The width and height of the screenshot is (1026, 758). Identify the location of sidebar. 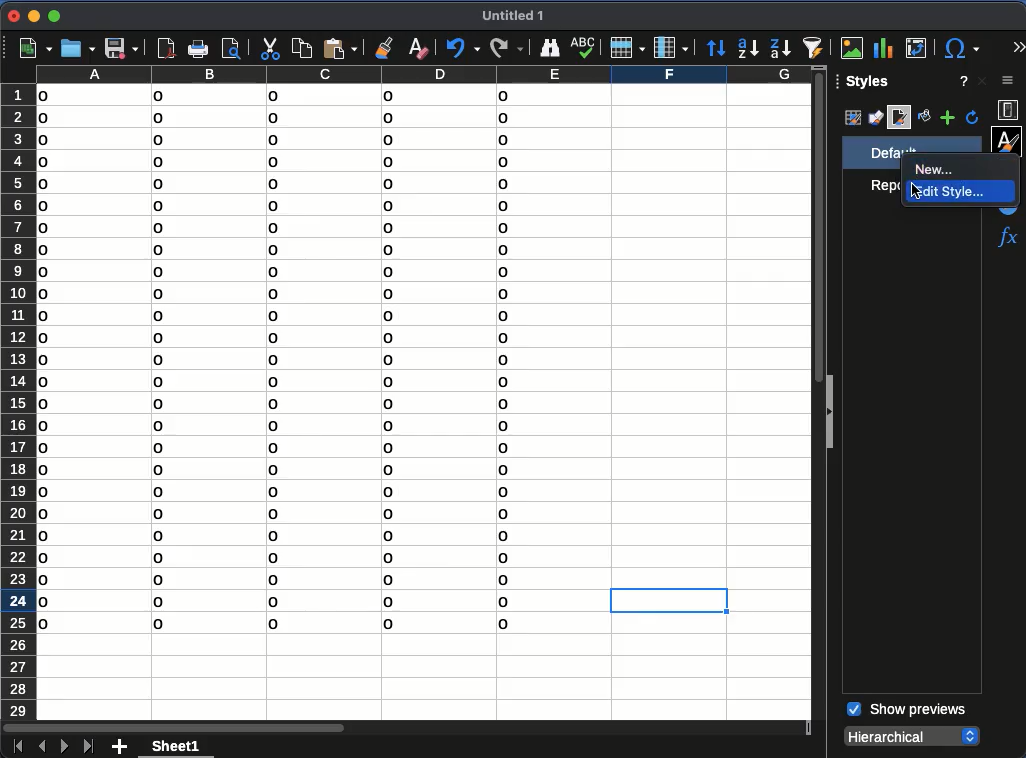
(1009, 82).